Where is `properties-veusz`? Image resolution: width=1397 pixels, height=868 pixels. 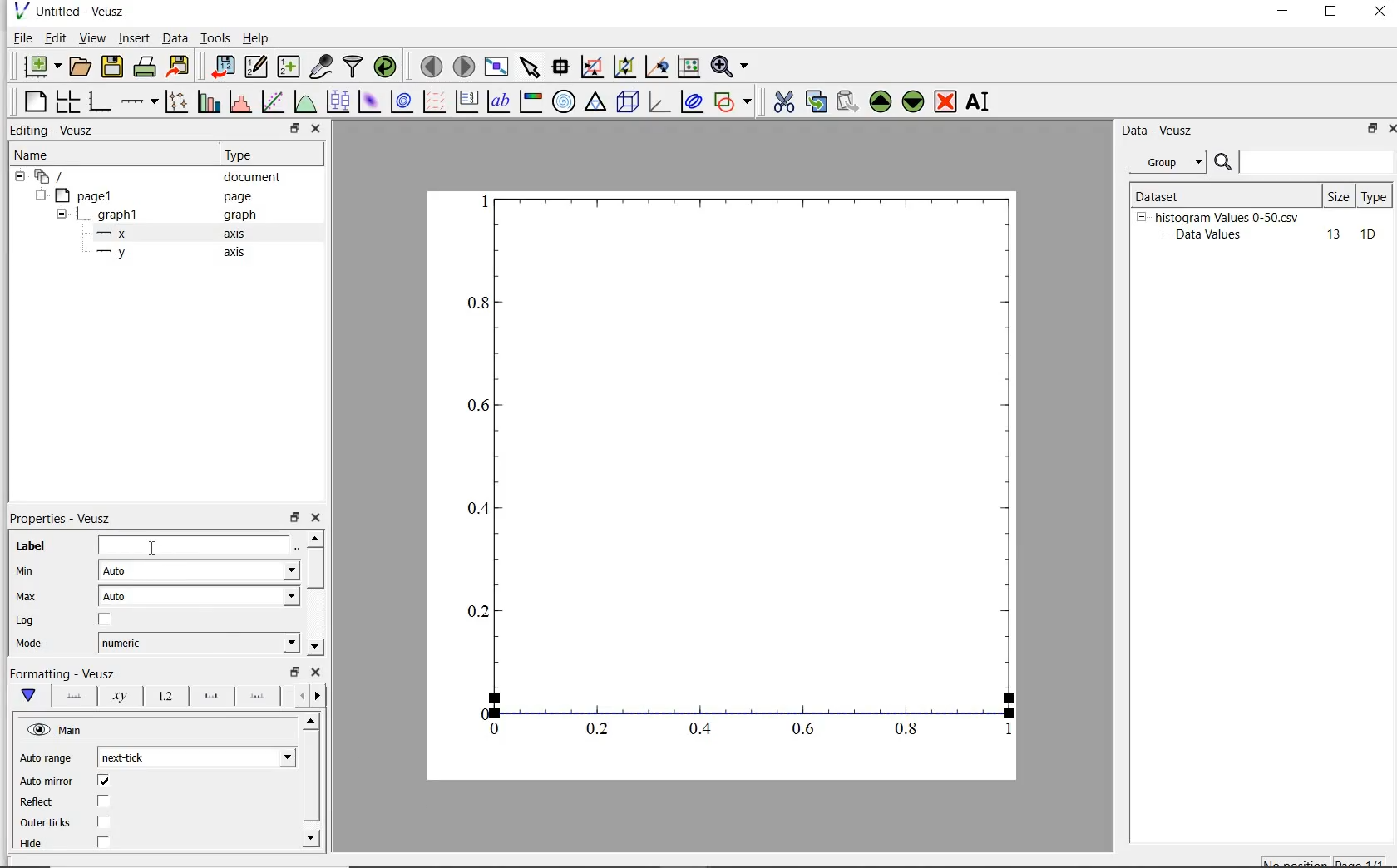
properties-veusz is located at coordinates (61, 519).